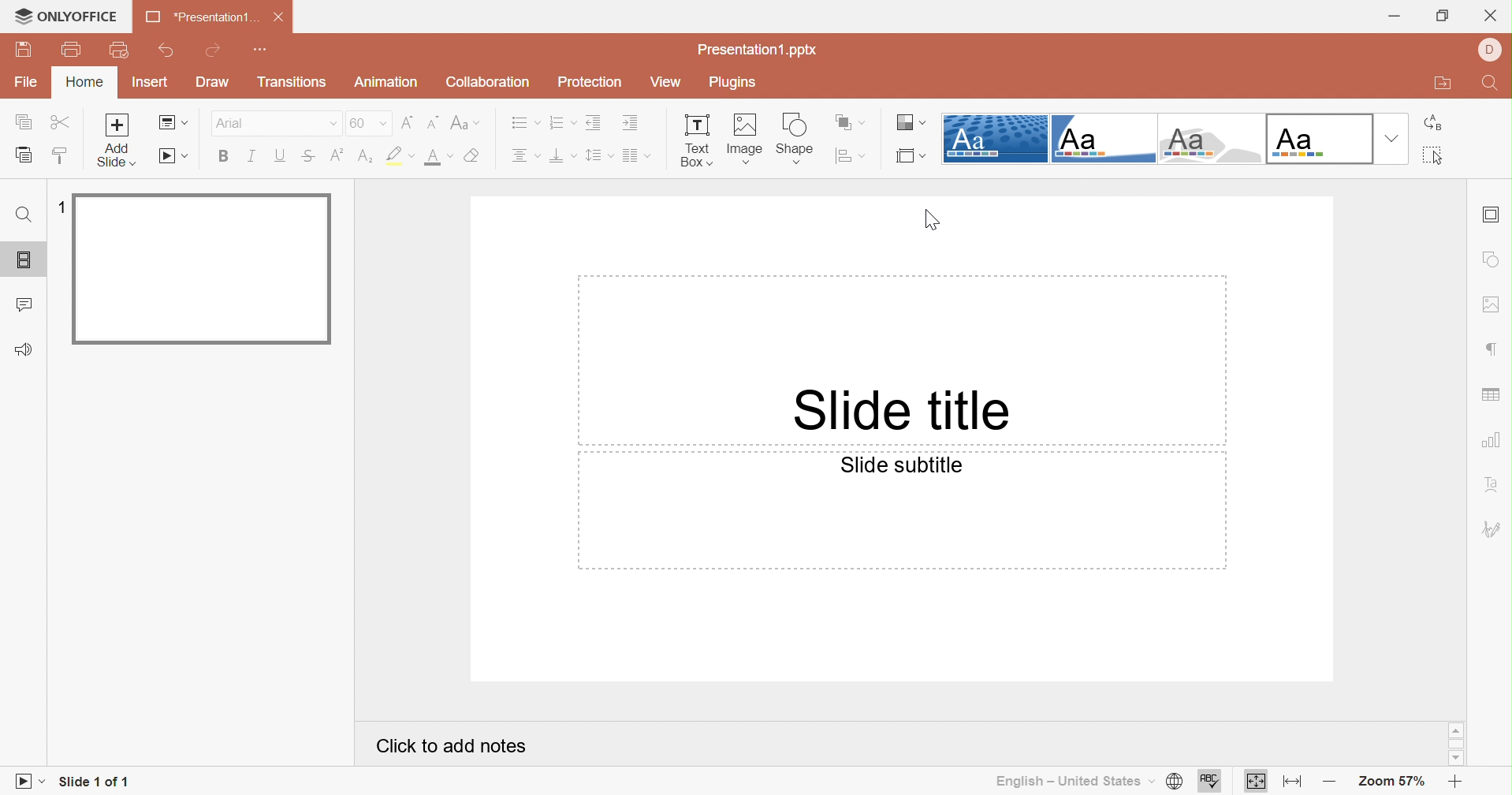 This screenshot has width=1512, height=795. What do you see at coordinates (1495, 349) in the screenshot?
I see `Paragraph settings` at bounding box center [1495, 349].